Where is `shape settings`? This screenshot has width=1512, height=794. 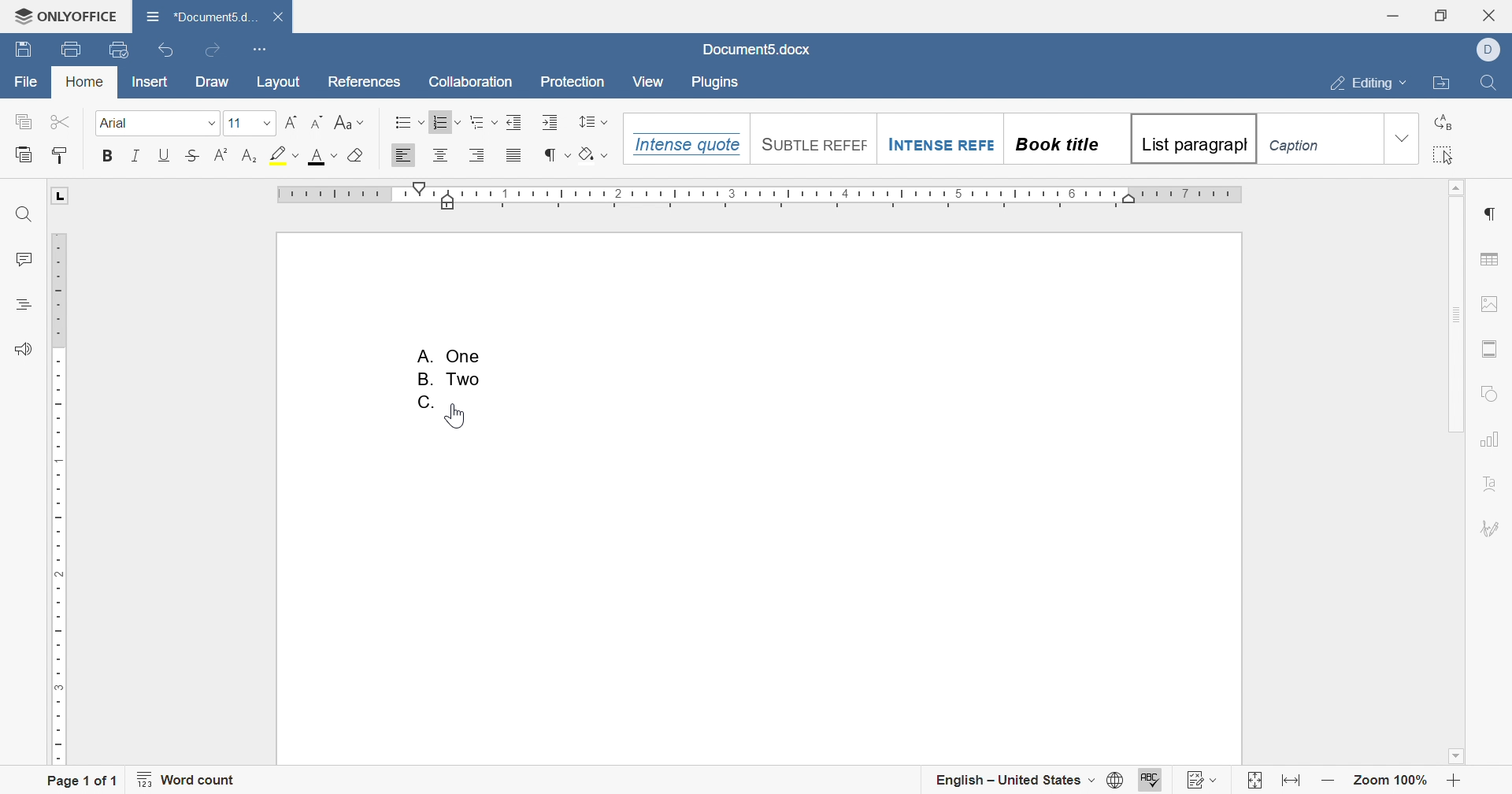 shape settings is located at coordinates (1487, 392).